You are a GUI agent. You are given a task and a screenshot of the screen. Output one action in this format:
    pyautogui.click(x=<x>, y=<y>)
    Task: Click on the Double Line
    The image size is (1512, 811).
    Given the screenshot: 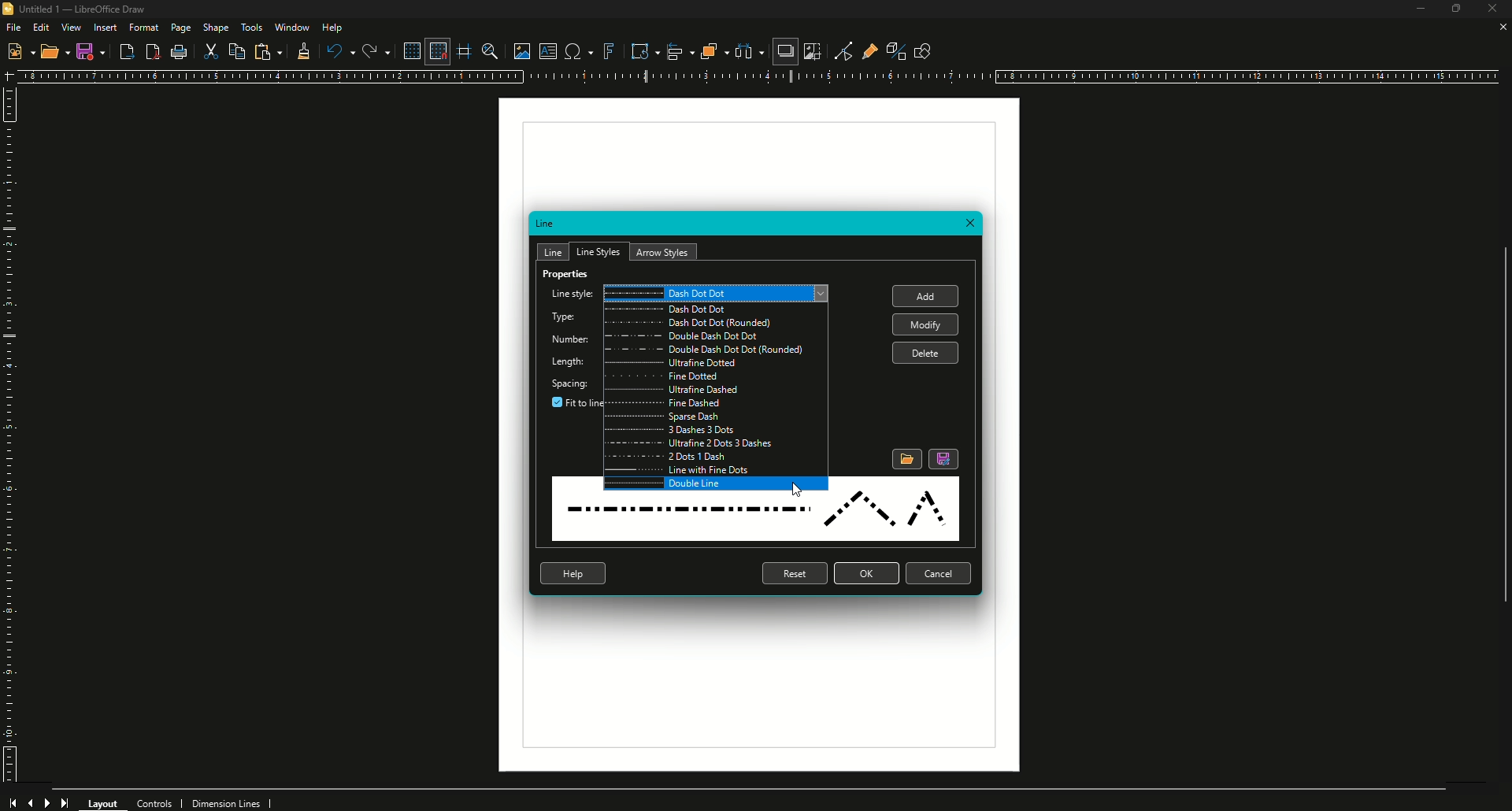 What is the action you would take?
    pyautogui.click(x=717, y=484)
    